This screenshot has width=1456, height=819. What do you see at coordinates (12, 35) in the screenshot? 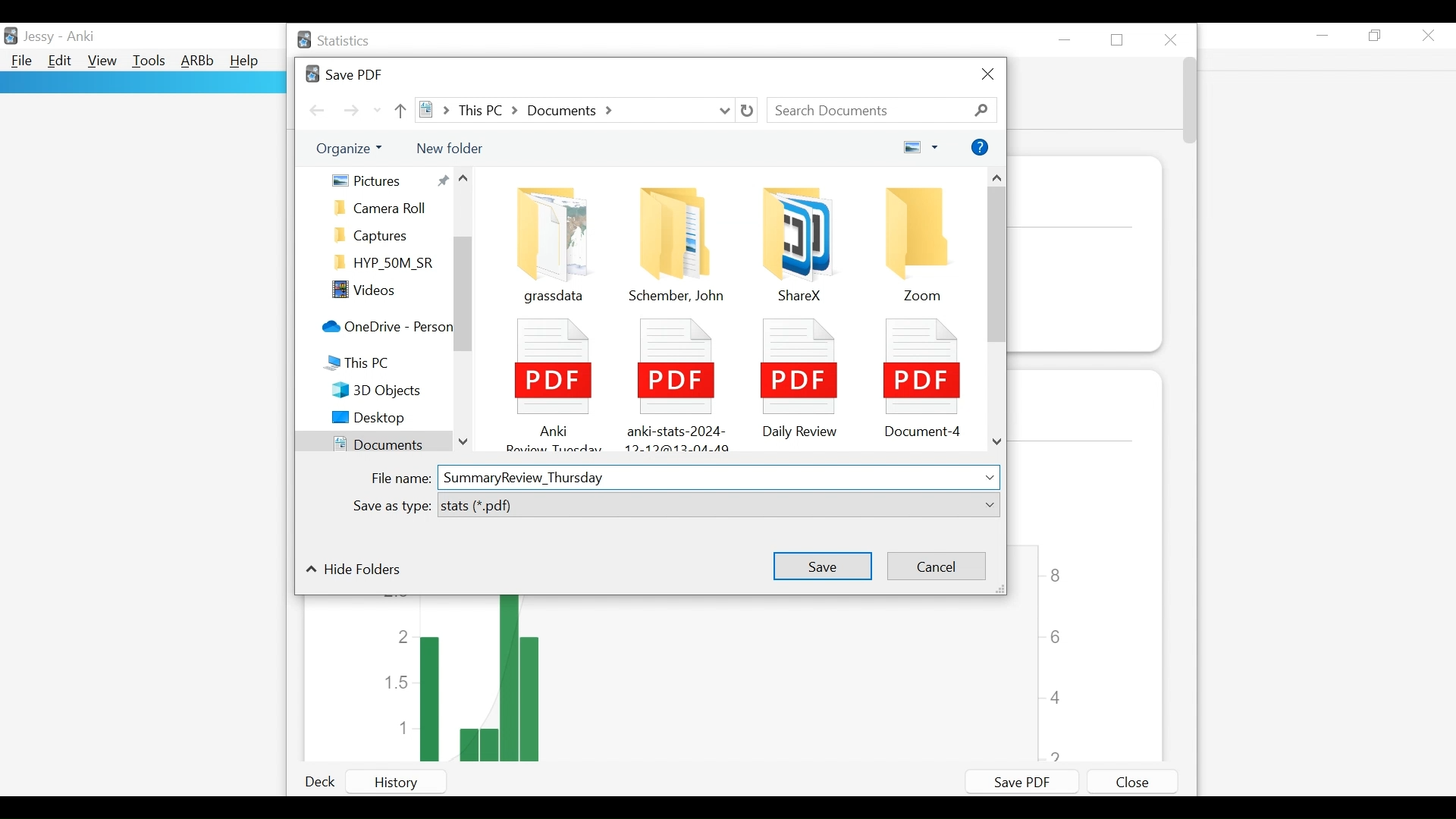
I see `Anki Desktop Icon` at bounding box center [12, 35].